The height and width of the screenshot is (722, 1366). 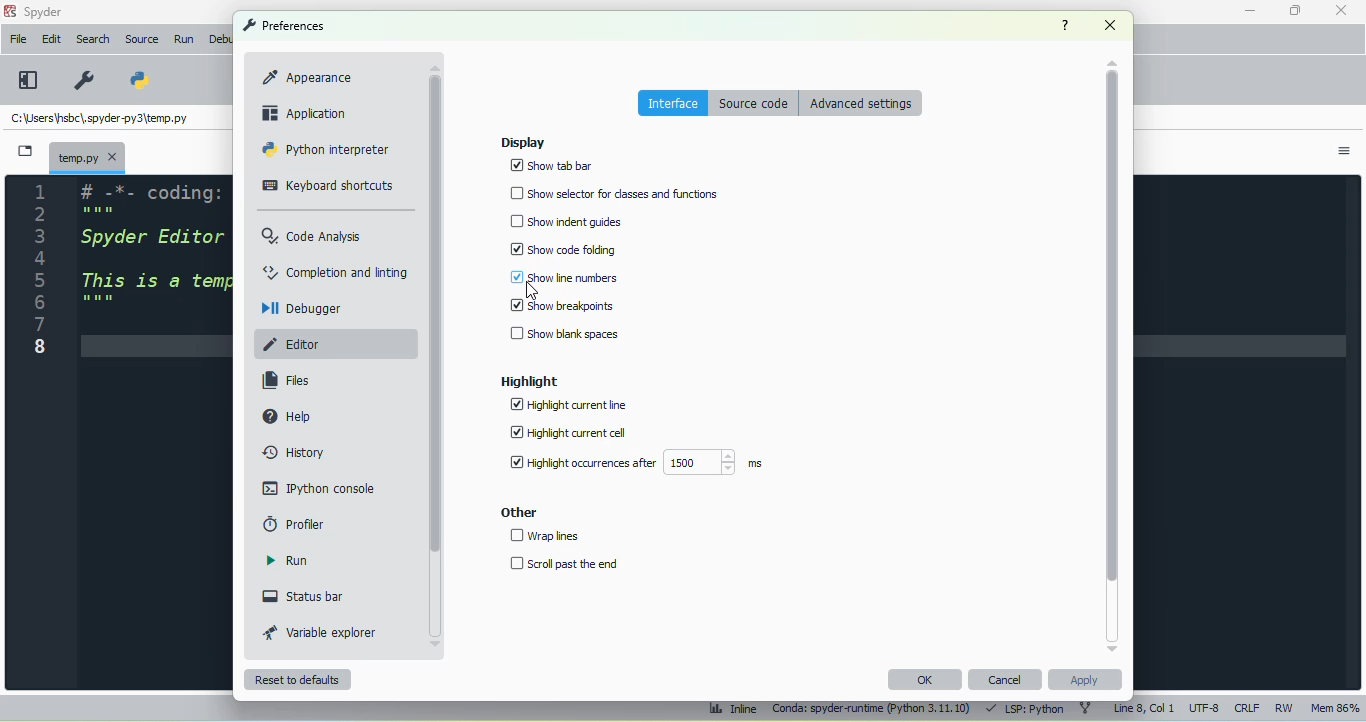 What do you see at coordinates (616, 193) in the screenshot?
I see `show selector for classes and functions` at bounding box center [616, 193].